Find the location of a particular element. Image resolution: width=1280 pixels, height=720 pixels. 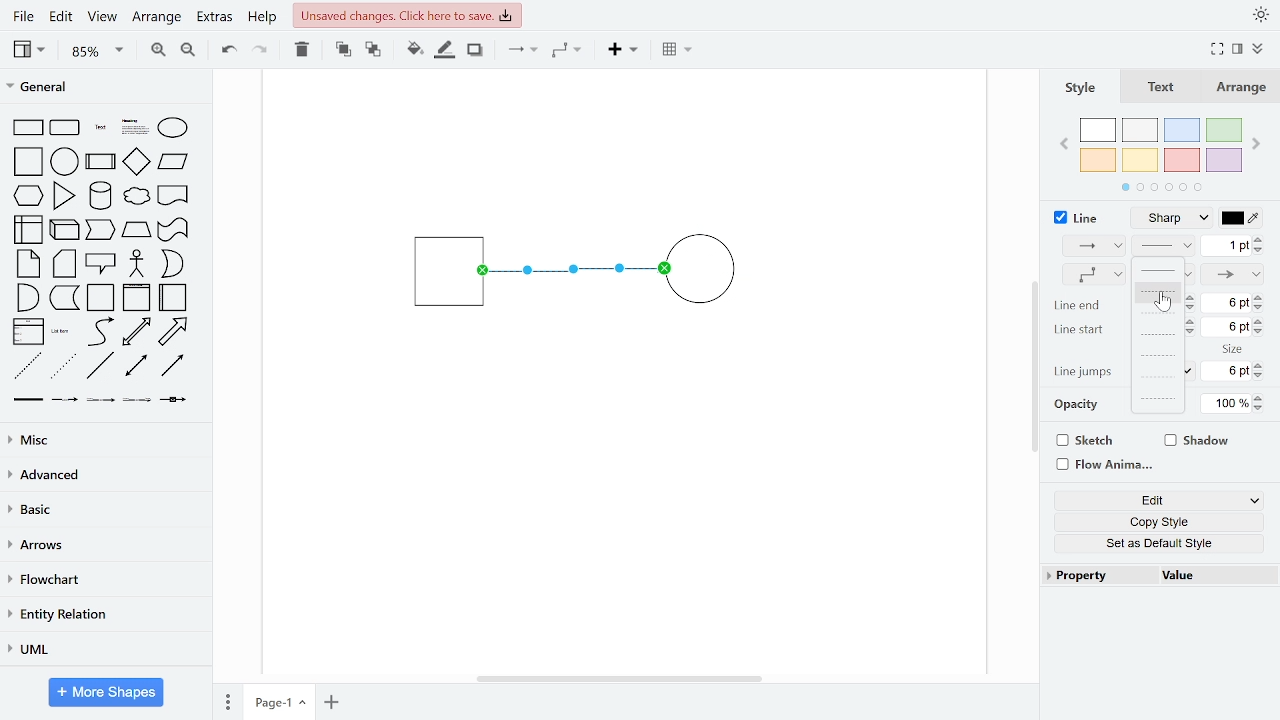

dashed 1 is located at coordinates (1160, 293).